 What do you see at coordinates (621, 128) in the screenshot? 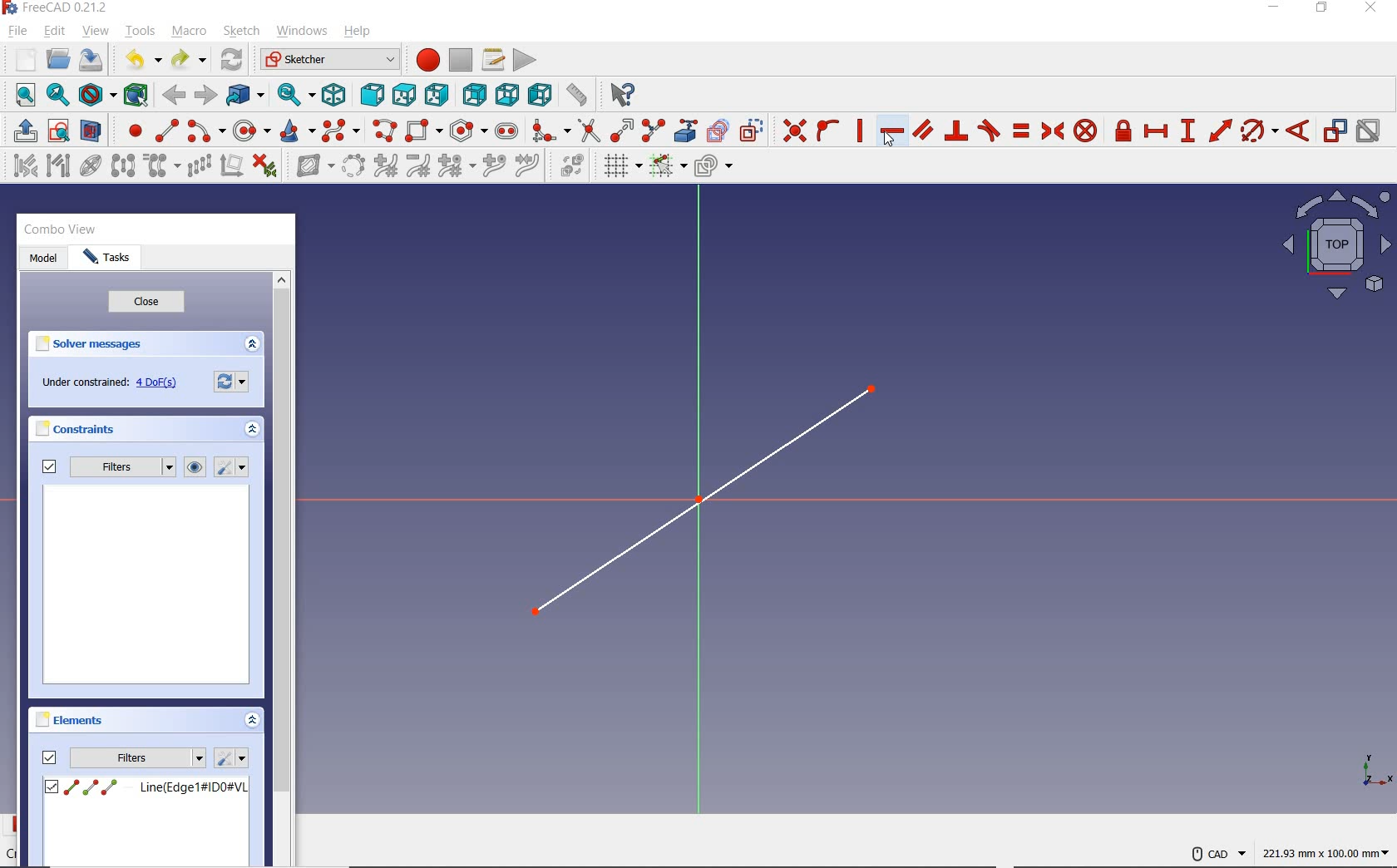
I see `EXTEND EDGE` at bounding box center [621, 128].